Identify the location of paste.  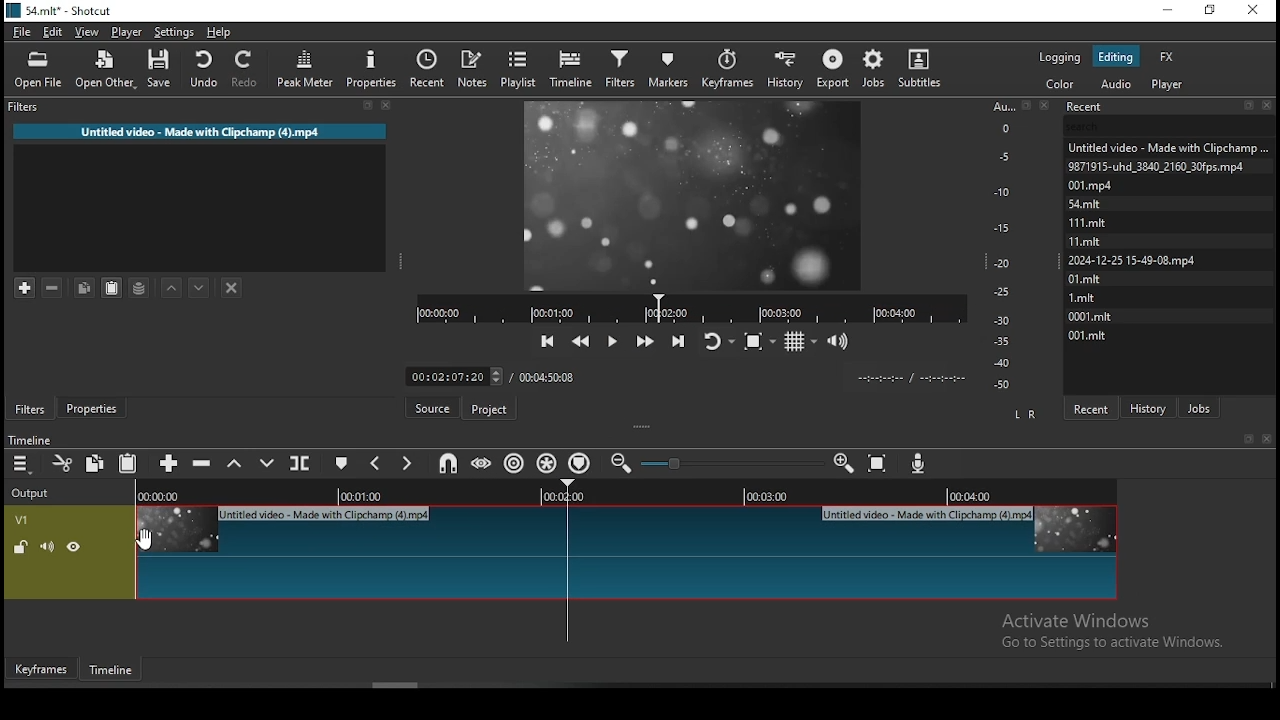
(130, 462).